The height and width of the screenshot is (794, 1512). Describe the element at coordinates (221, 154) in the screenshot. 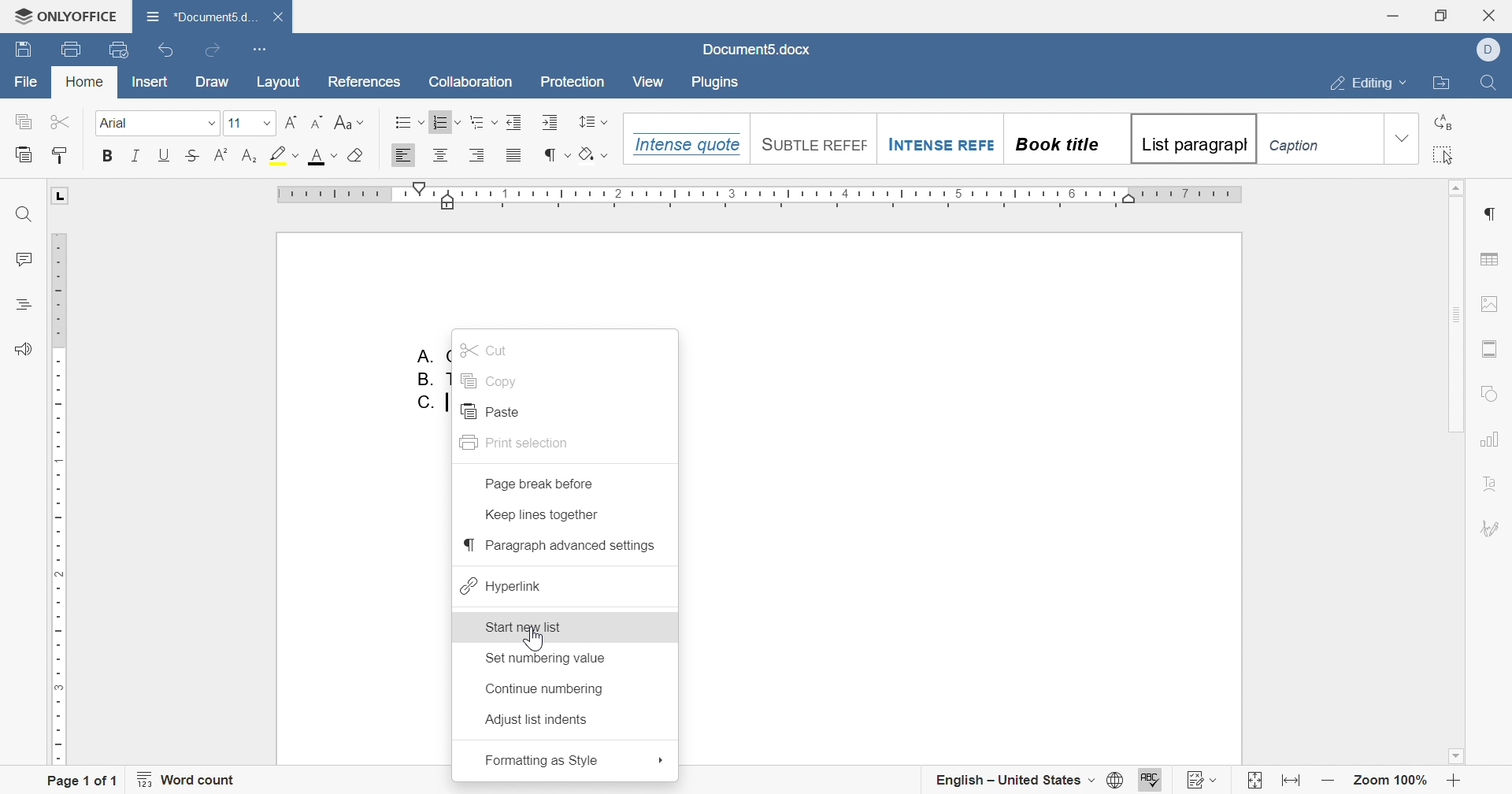

I see `Superscript` at that location.